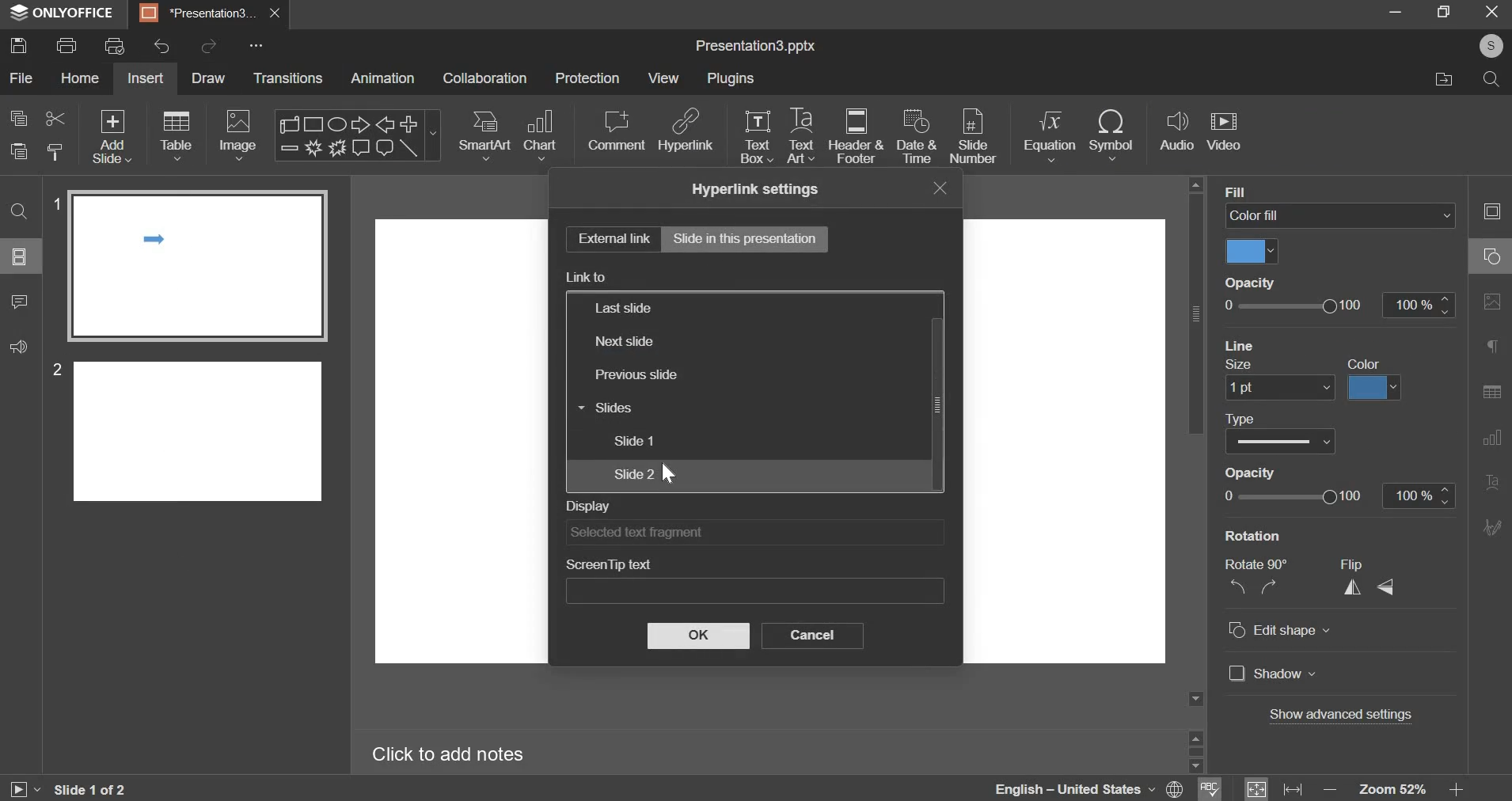 The image size is (1512, 801). I want to click on smart art, so click(486, 135).